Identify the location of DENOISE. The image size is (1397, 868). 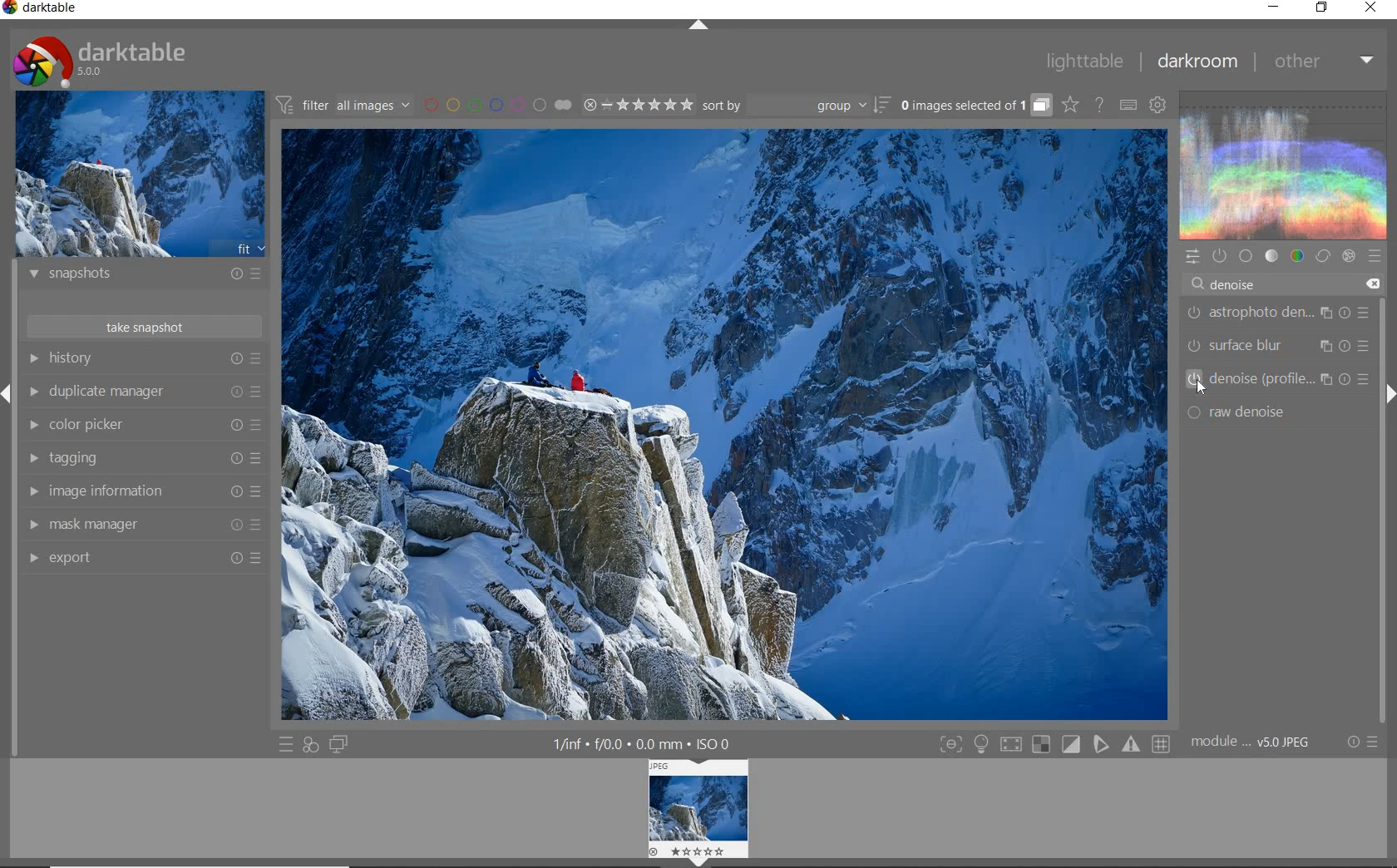
(1229, 285).